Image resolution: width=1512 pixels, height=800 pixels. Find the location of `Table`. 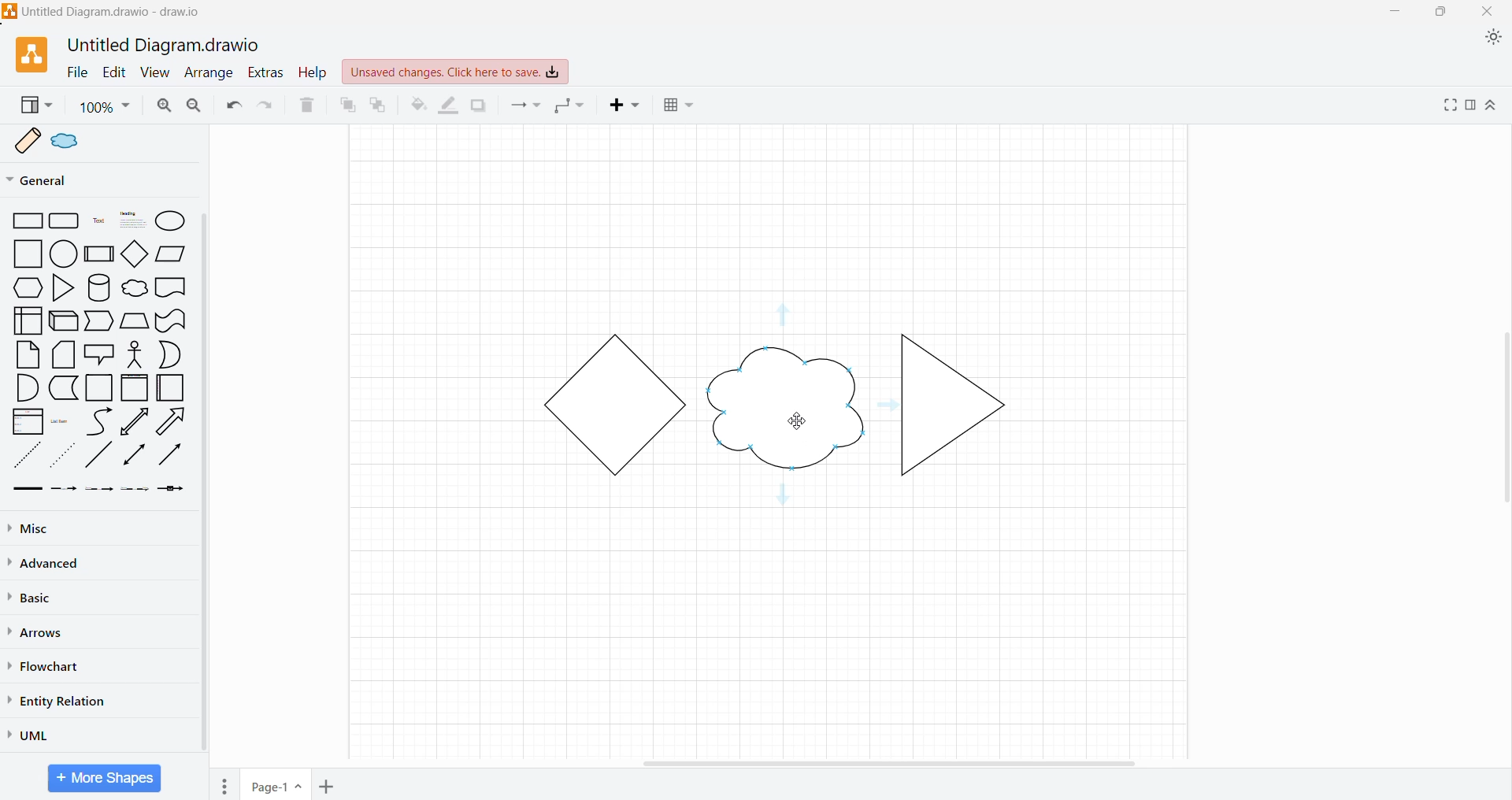

Table is located at coordinates (681, 106).